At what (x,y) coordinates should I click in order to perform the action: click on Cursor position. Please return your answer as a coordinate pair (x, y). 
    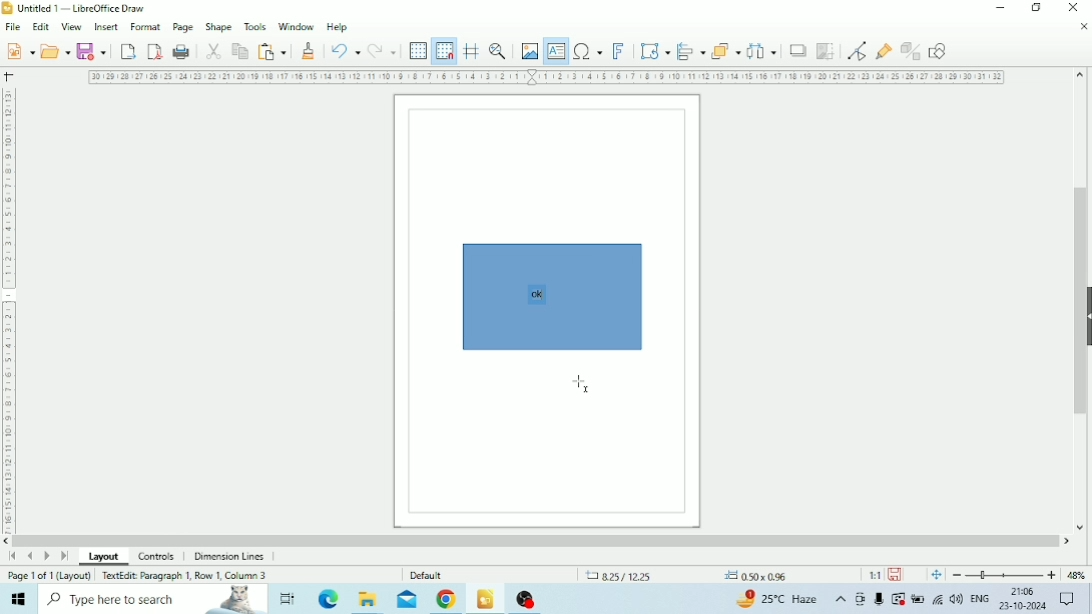
    Looking at the image, I should click on (688, 575).